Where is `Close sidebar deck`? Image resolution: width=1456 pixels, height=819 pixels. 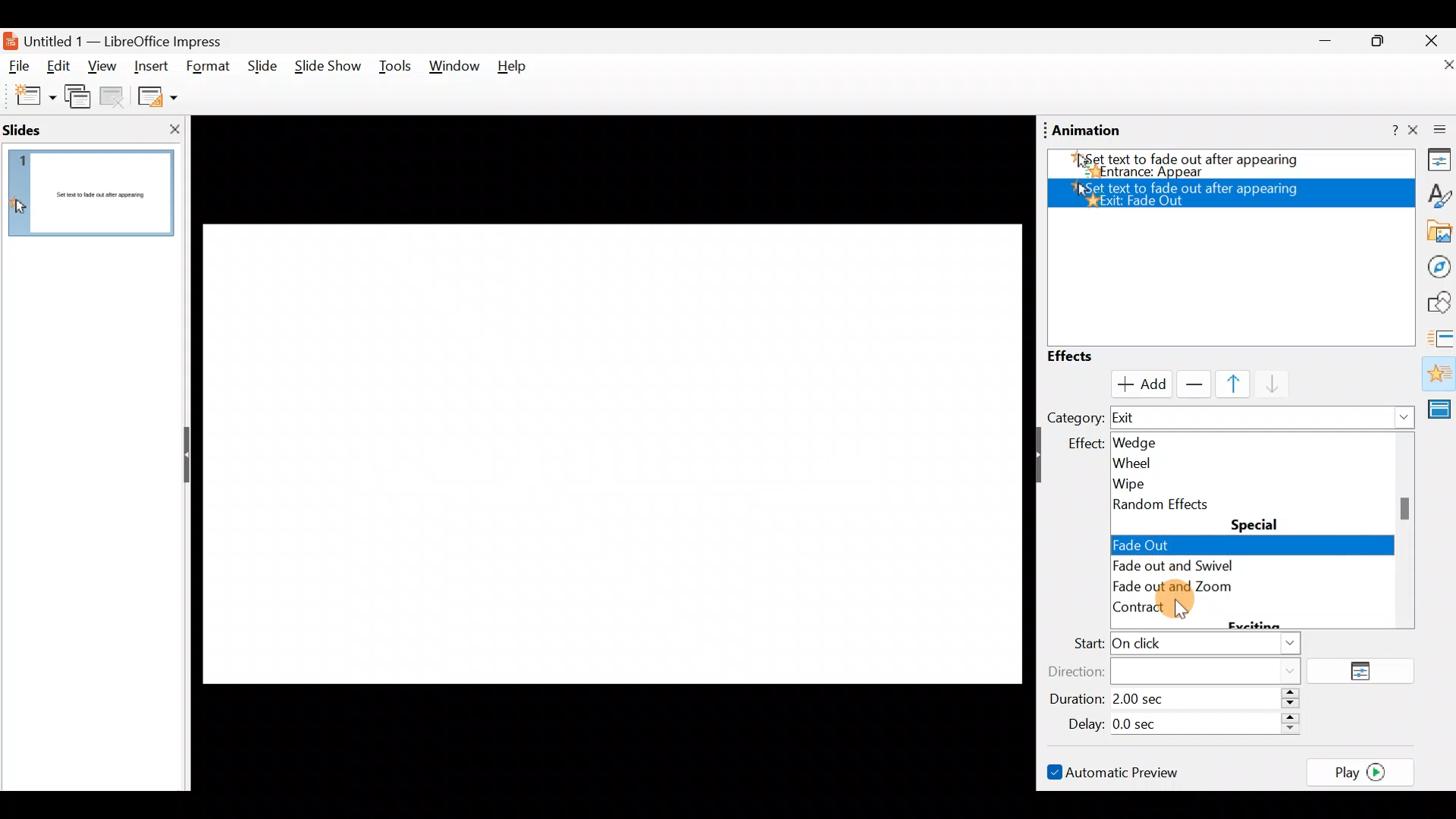
Close sidebar deck is located at coordinates (1433, 130).